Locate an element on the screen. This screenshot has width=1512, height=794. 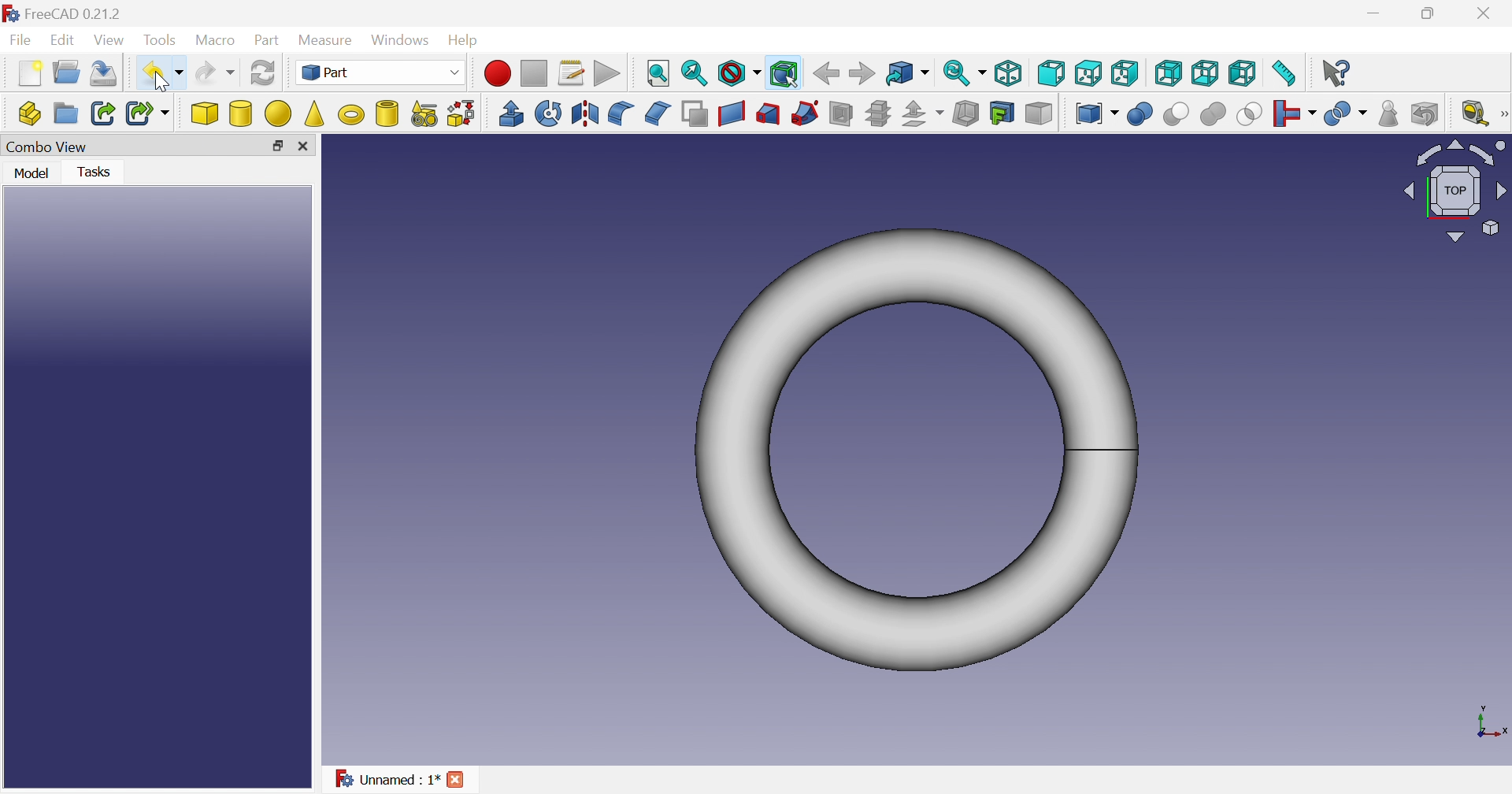
Loft... is located at coordinates (769, 114).